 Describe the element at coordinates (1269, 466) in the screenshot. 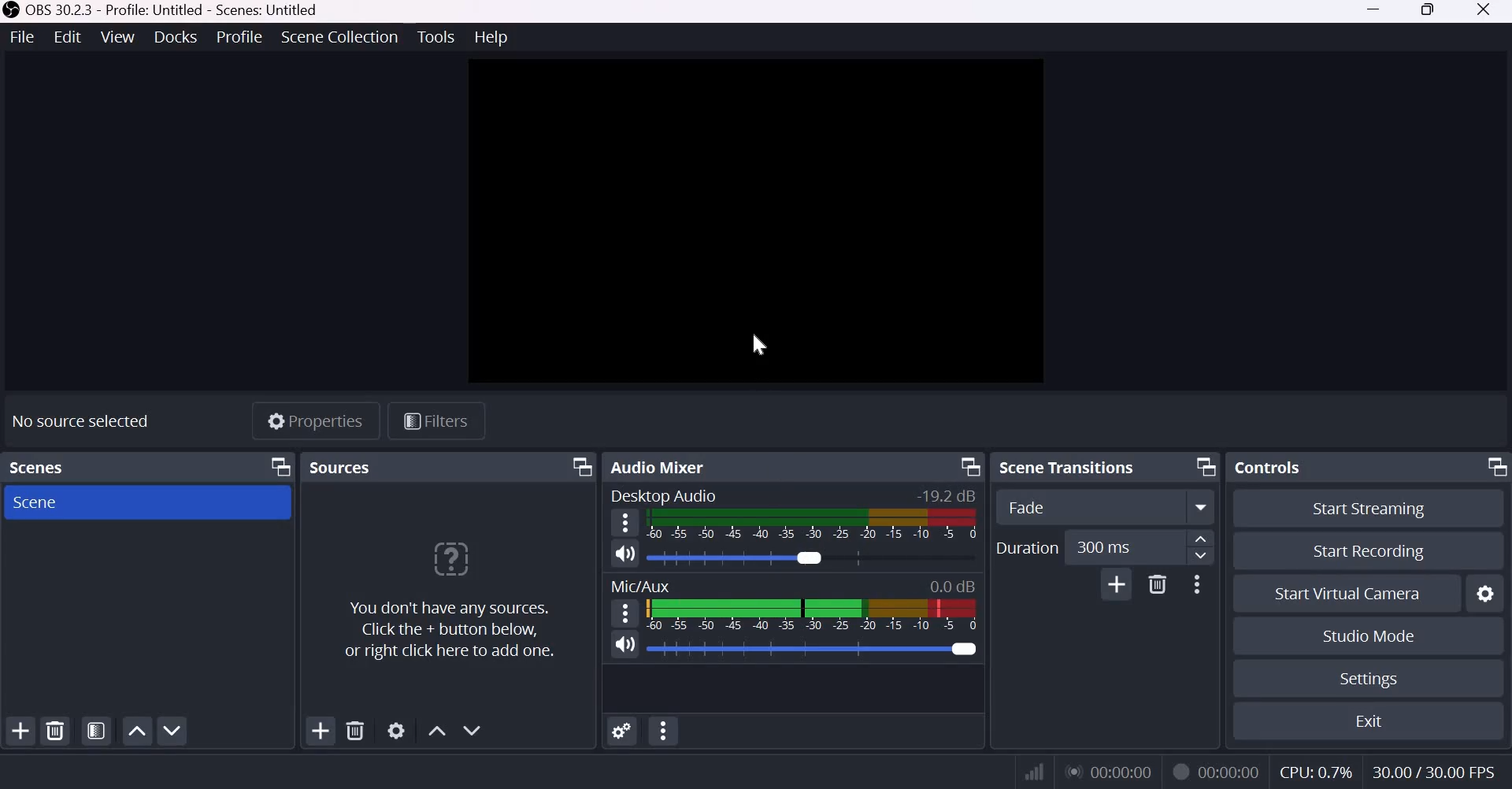

I see `Controls` at that location.